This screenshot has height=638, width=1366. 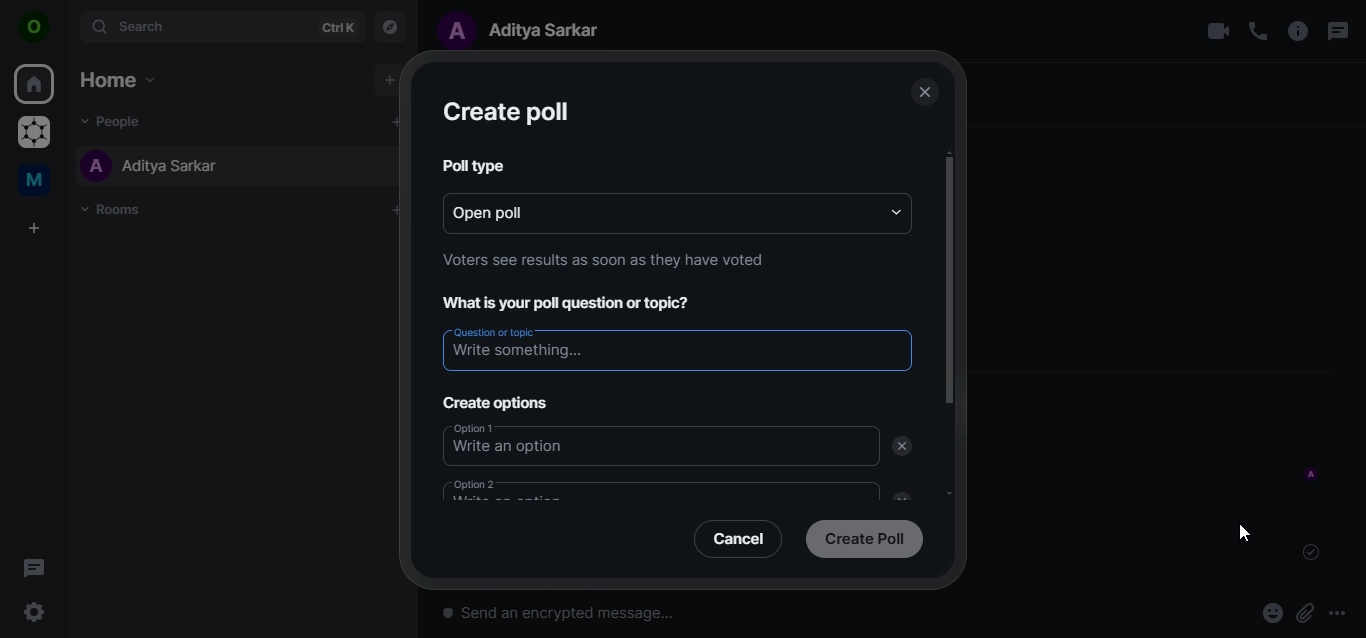 I want to click on What is your poll question or topic?, so click(x=573, y=304).